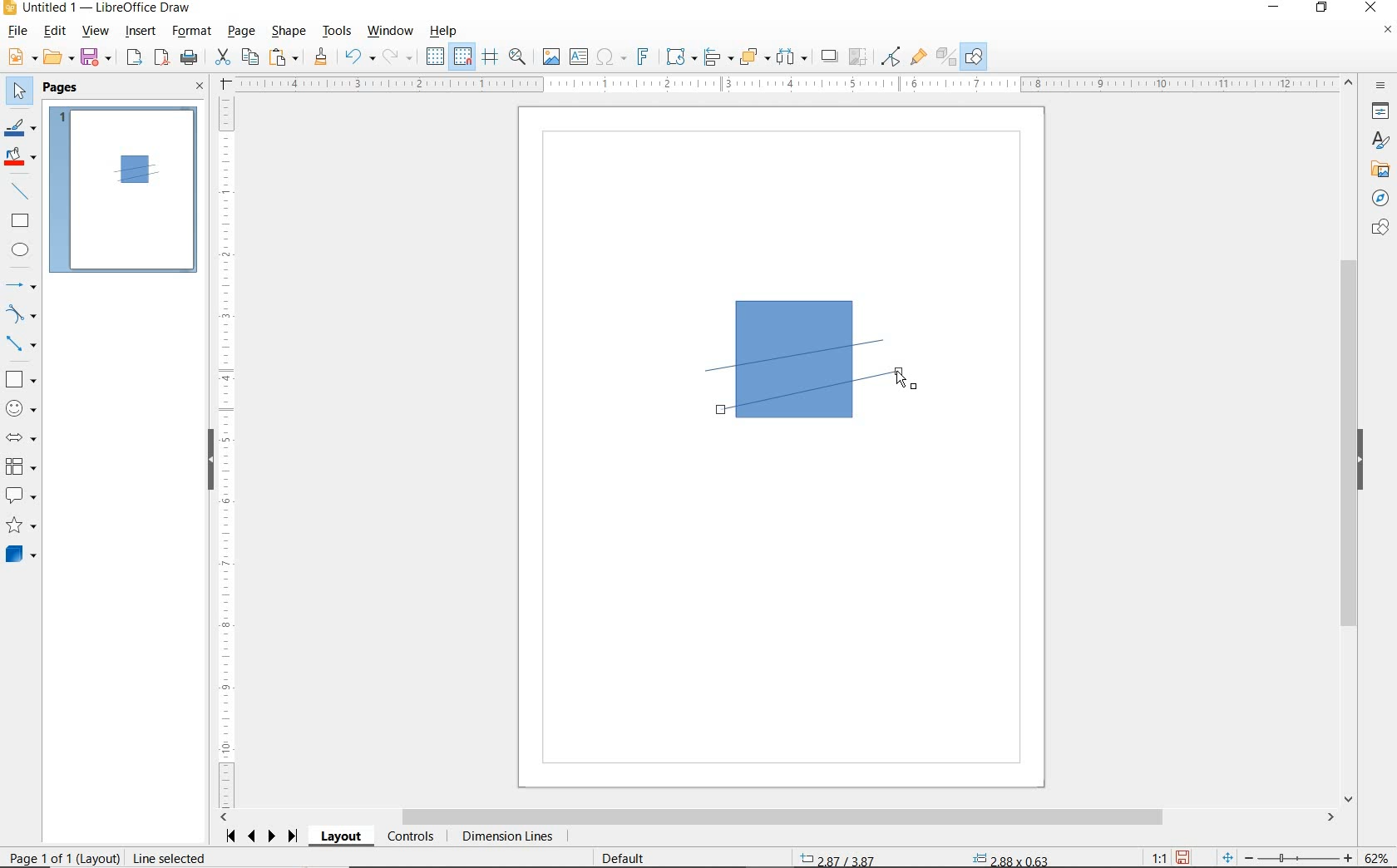 The height and width of the screenshot is (868, 1397). What do you see at coordinates (755, 56) in the screenshot?
I see `ARRANGE` at bounding box center [755, 56].